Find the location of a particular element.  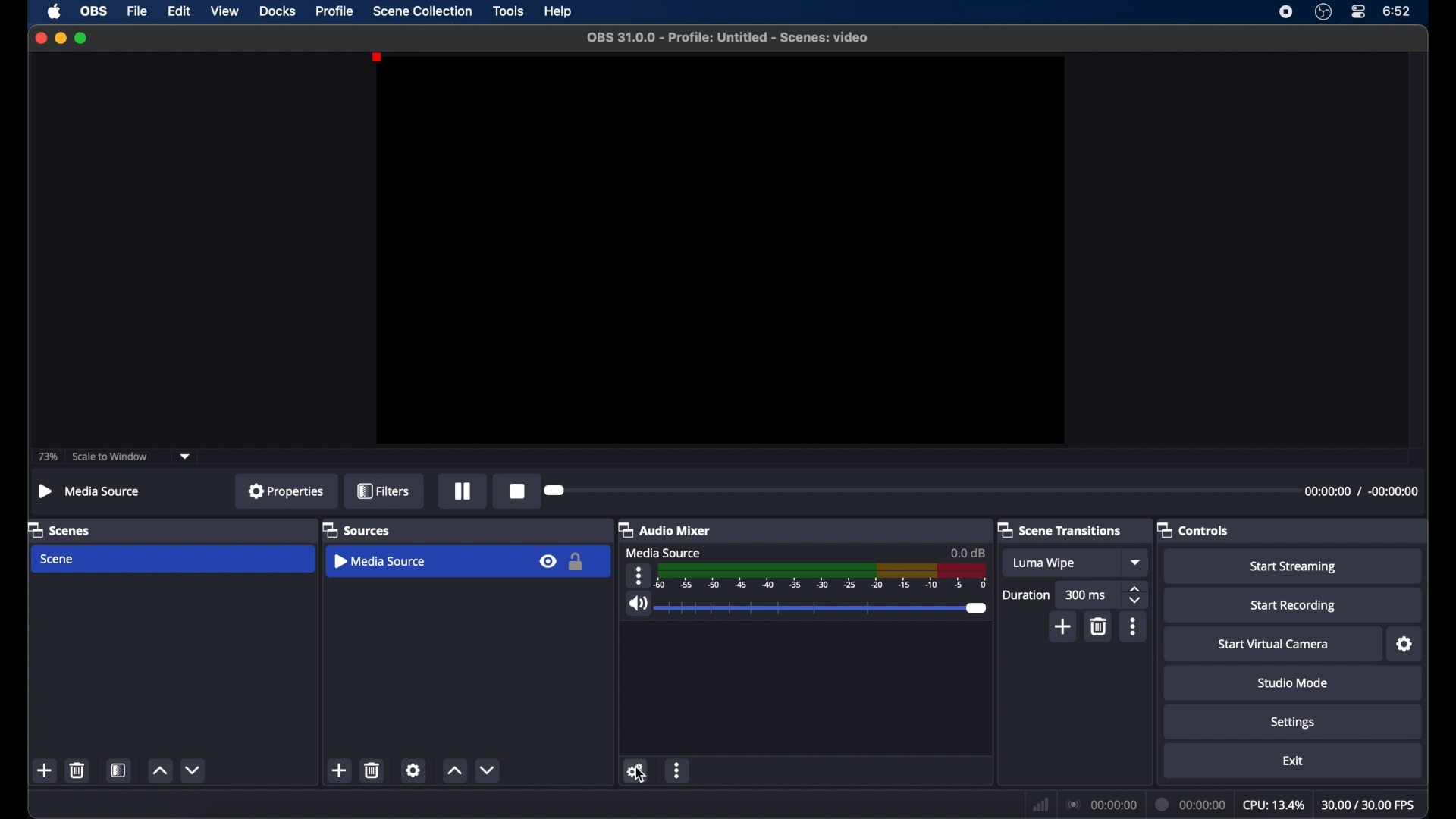

filters is located at coordinates (383, 491).